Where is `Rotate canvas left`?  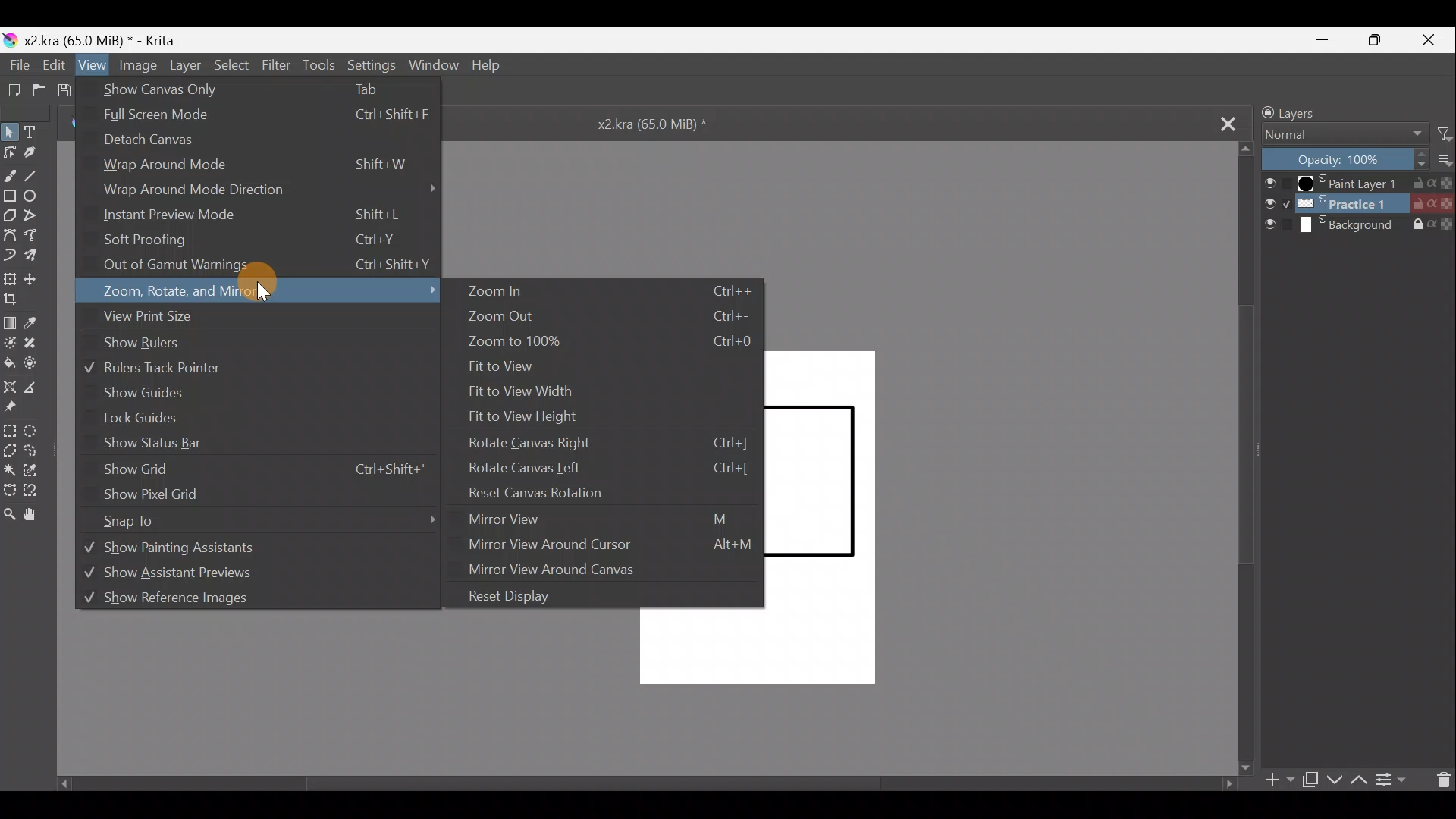
Rotate canvas left is located at coordinates (604, 467).